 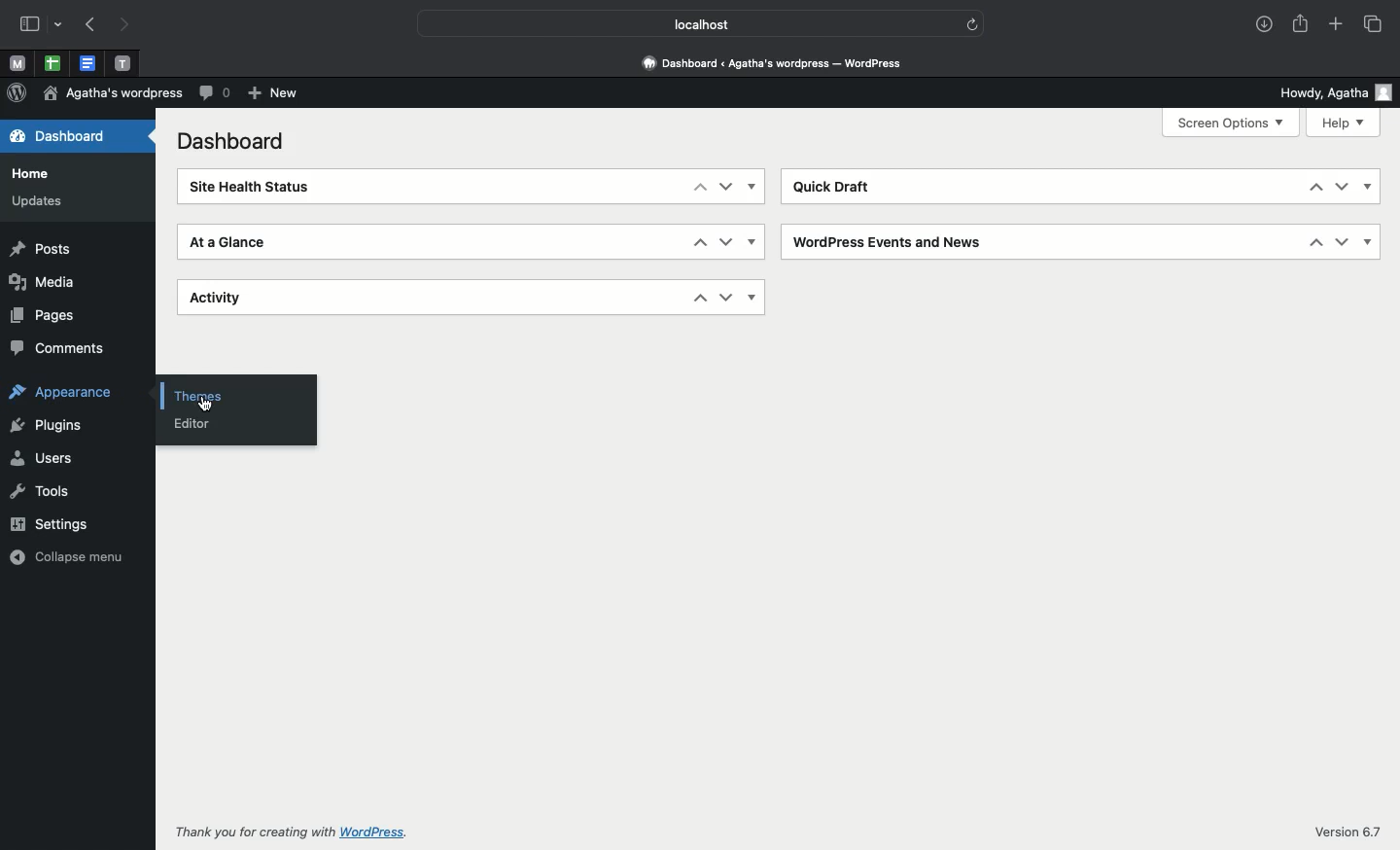 I want to click on Pinned tab, so click(x=17, y=64).